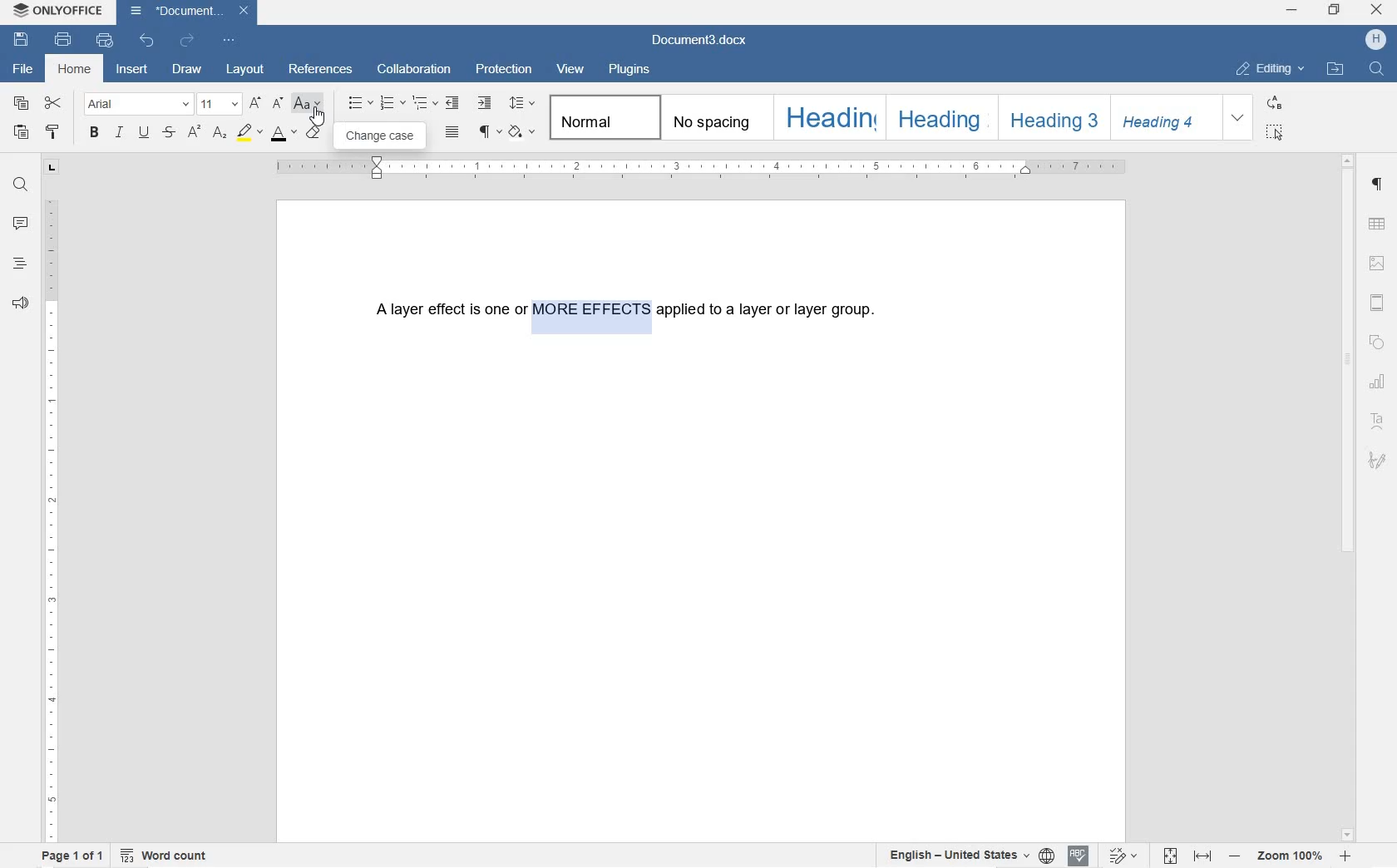 This screenshot has width=1397, height=868. I want to click on LAYOUT, so click(245, 68).